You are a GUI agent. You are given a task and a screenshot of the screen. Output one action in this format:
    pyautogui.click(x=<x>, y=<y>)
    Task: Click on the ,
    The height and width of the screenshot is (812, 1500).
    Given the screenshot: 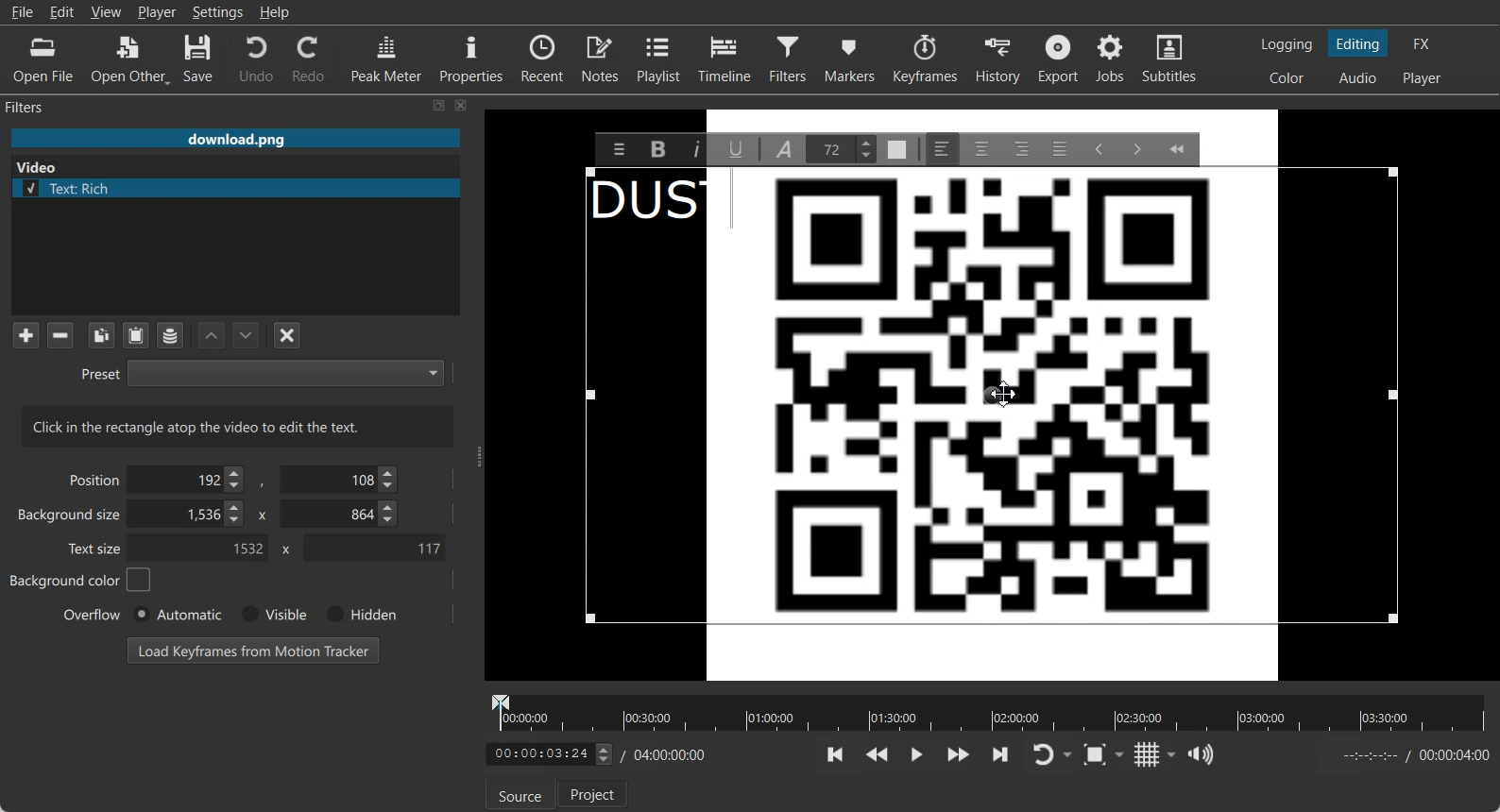 What is the action you would take?
    pyautogui.click(x=264, y=483)
    